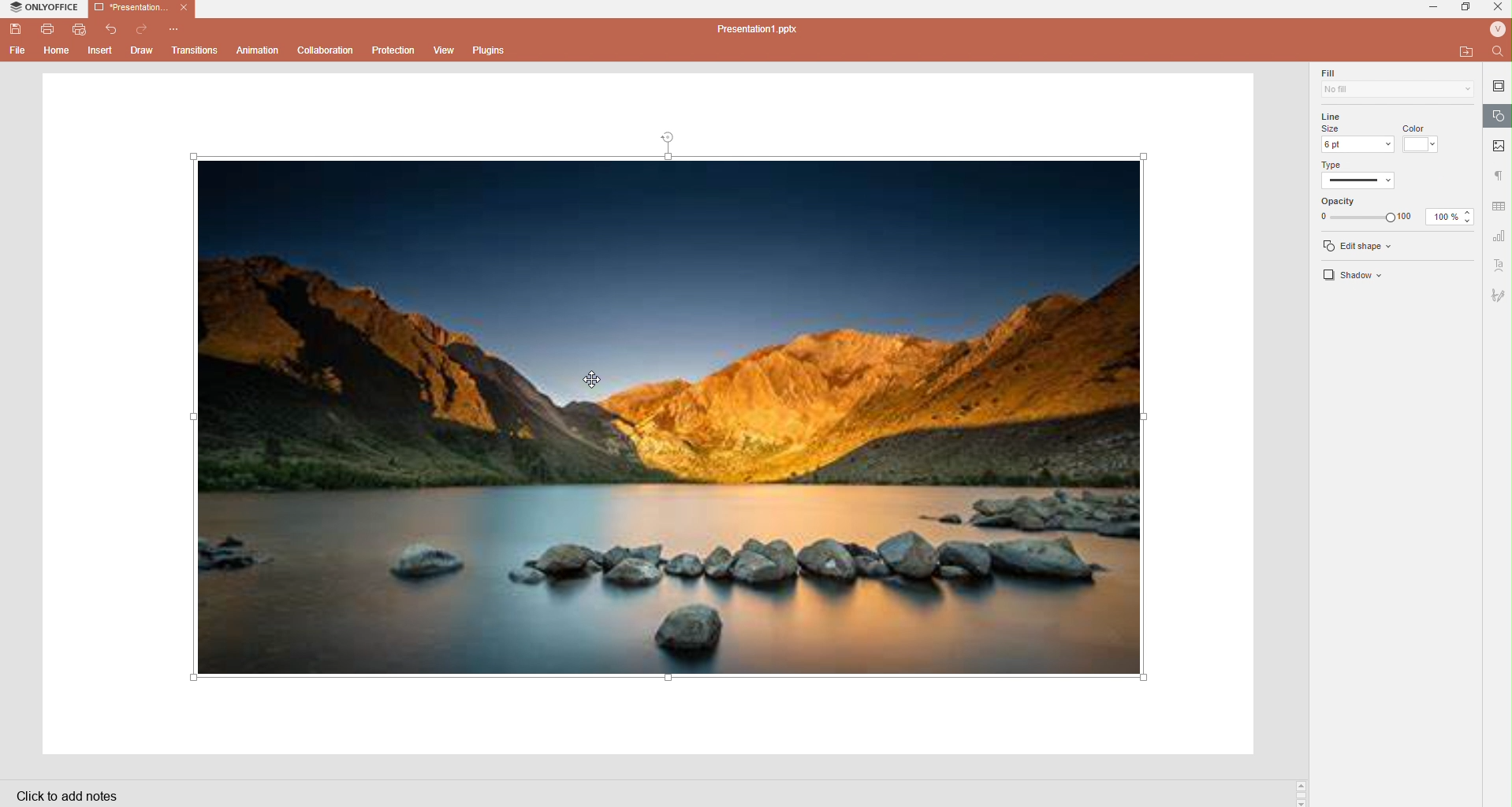 This screenshot has height=807, width=1512. Describe the element at coordinates (1469, 211) in the screenshot. I see `Increase opacity %` at that location.